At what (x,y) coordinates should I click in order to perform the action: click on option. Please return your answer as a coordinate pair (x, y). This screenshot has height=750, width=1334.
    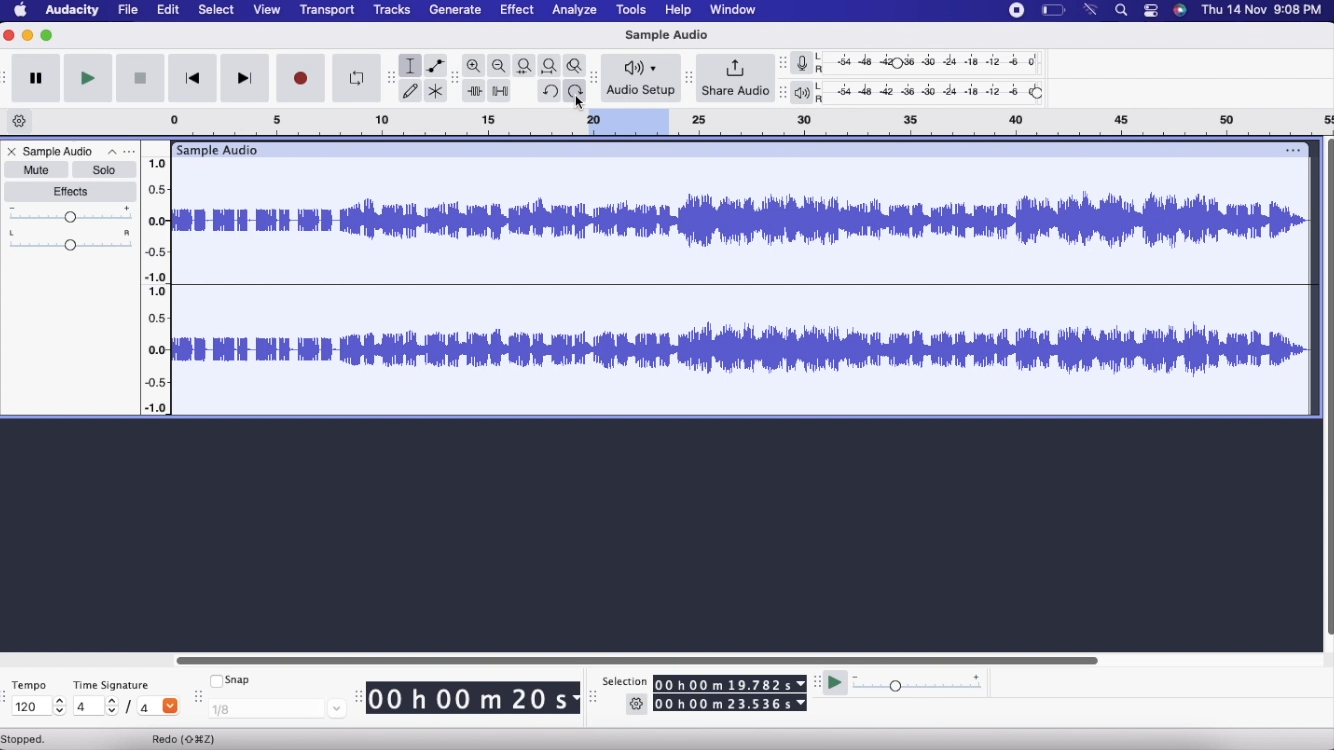
    Looking at the image, I should click on (1289, 149).